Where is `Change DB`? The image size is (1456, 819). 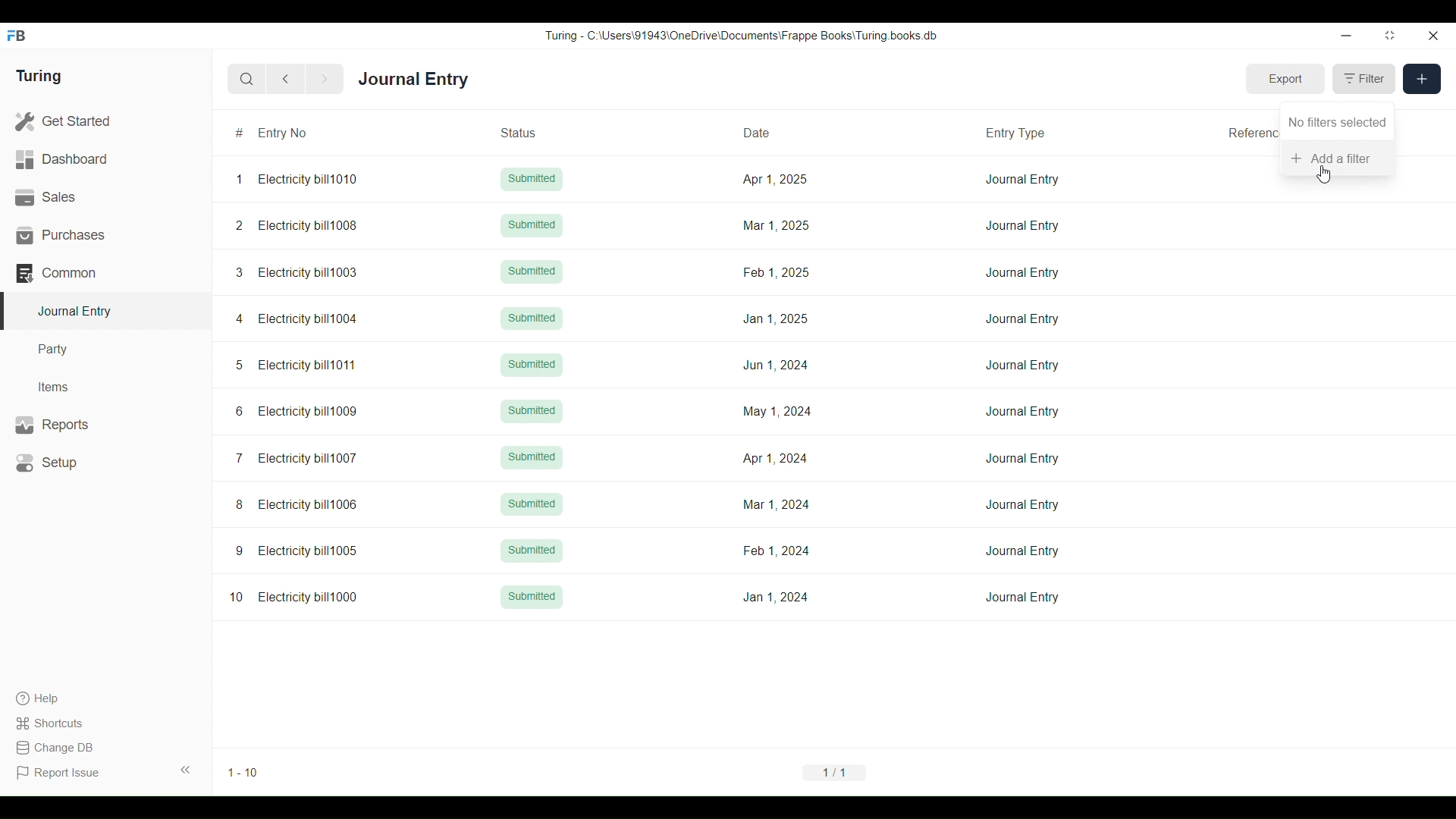
Change DB is located at coordinates (58, 748).